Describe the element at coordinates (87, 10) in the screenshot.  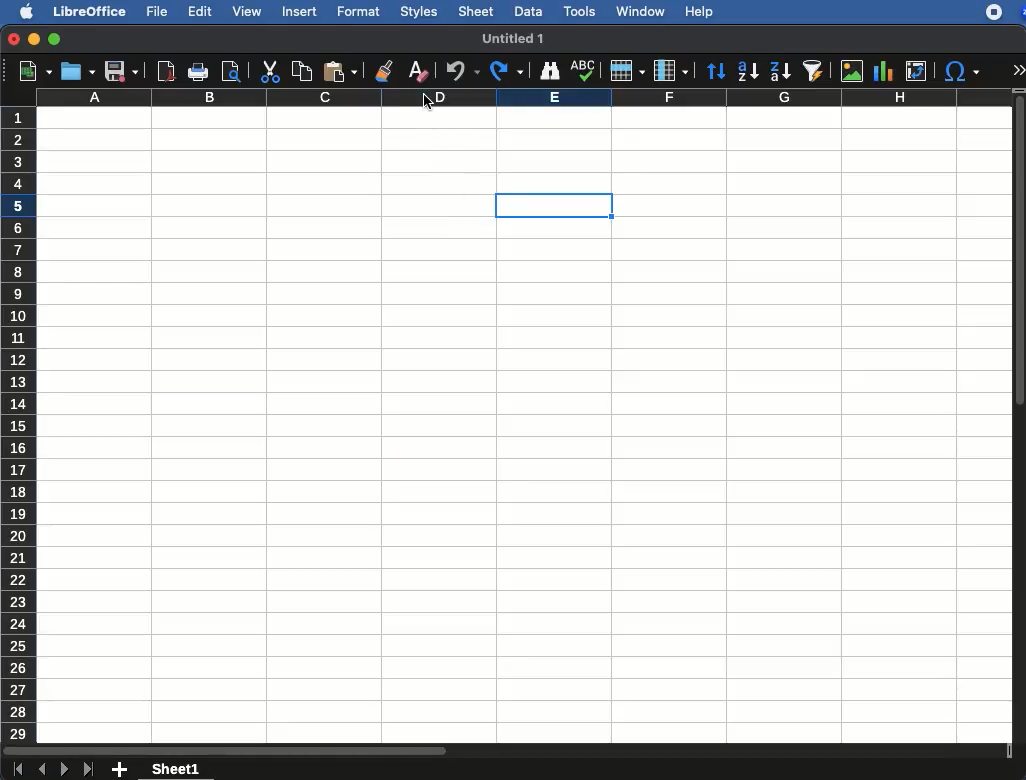
I see `libreoffice` at that location.